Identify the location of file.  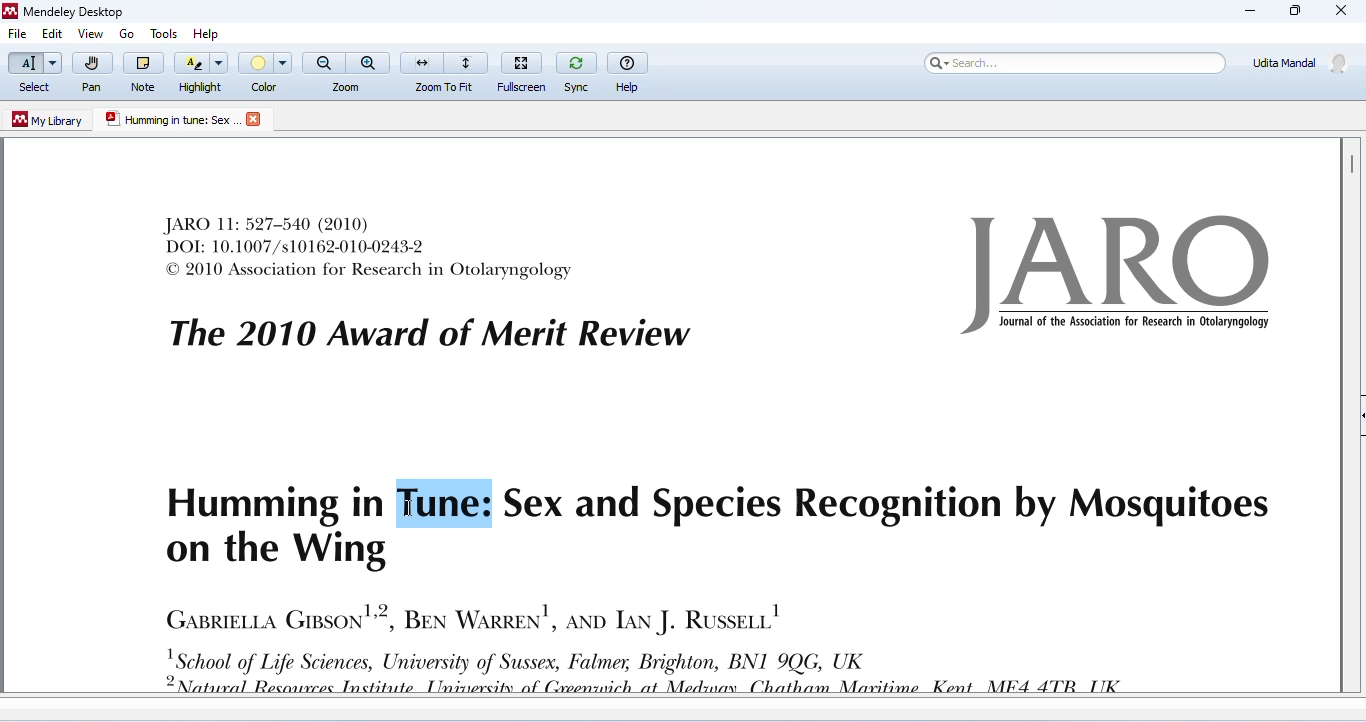
(18, 35).